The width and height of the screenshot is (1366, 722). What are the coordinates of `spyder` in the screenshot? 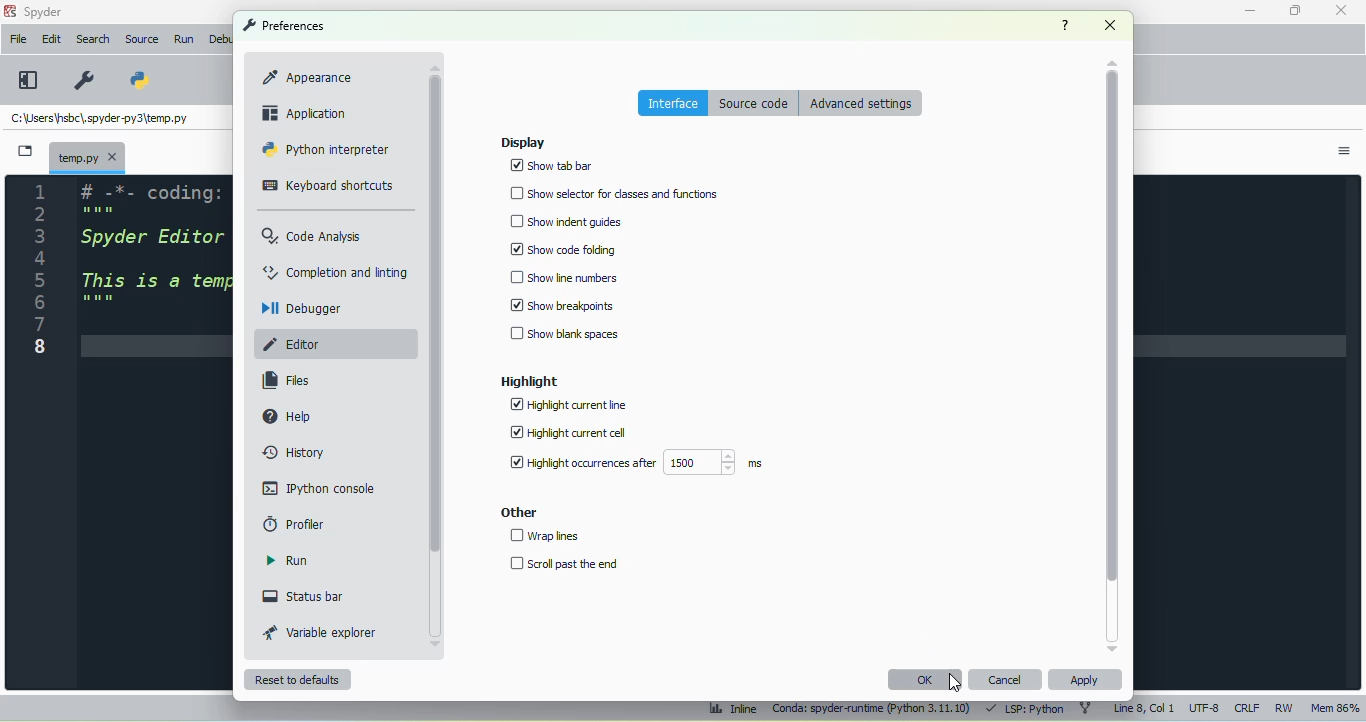 It's located at (44, 12).